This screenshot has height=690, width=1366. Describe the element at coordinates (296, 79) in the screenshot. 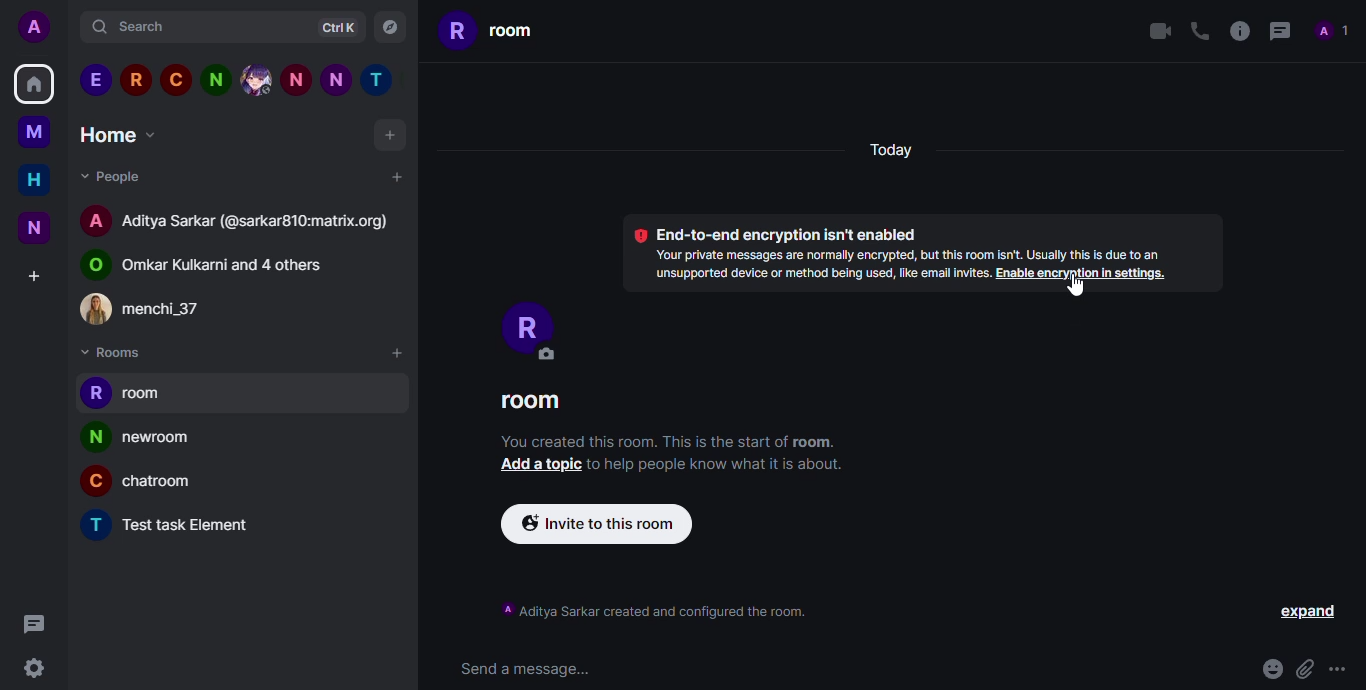

I see `people 6` at that location.